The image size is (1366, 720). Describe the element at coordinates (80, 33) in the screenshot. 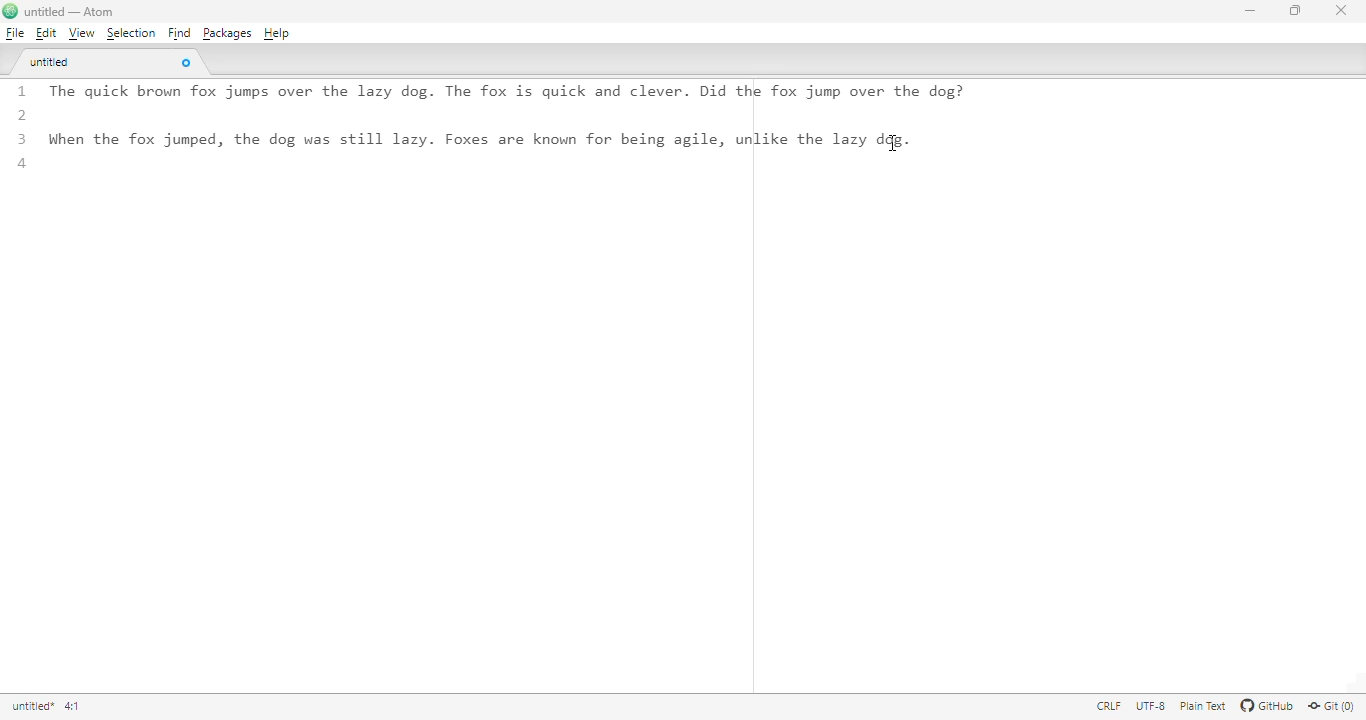

I see `view` at that location.